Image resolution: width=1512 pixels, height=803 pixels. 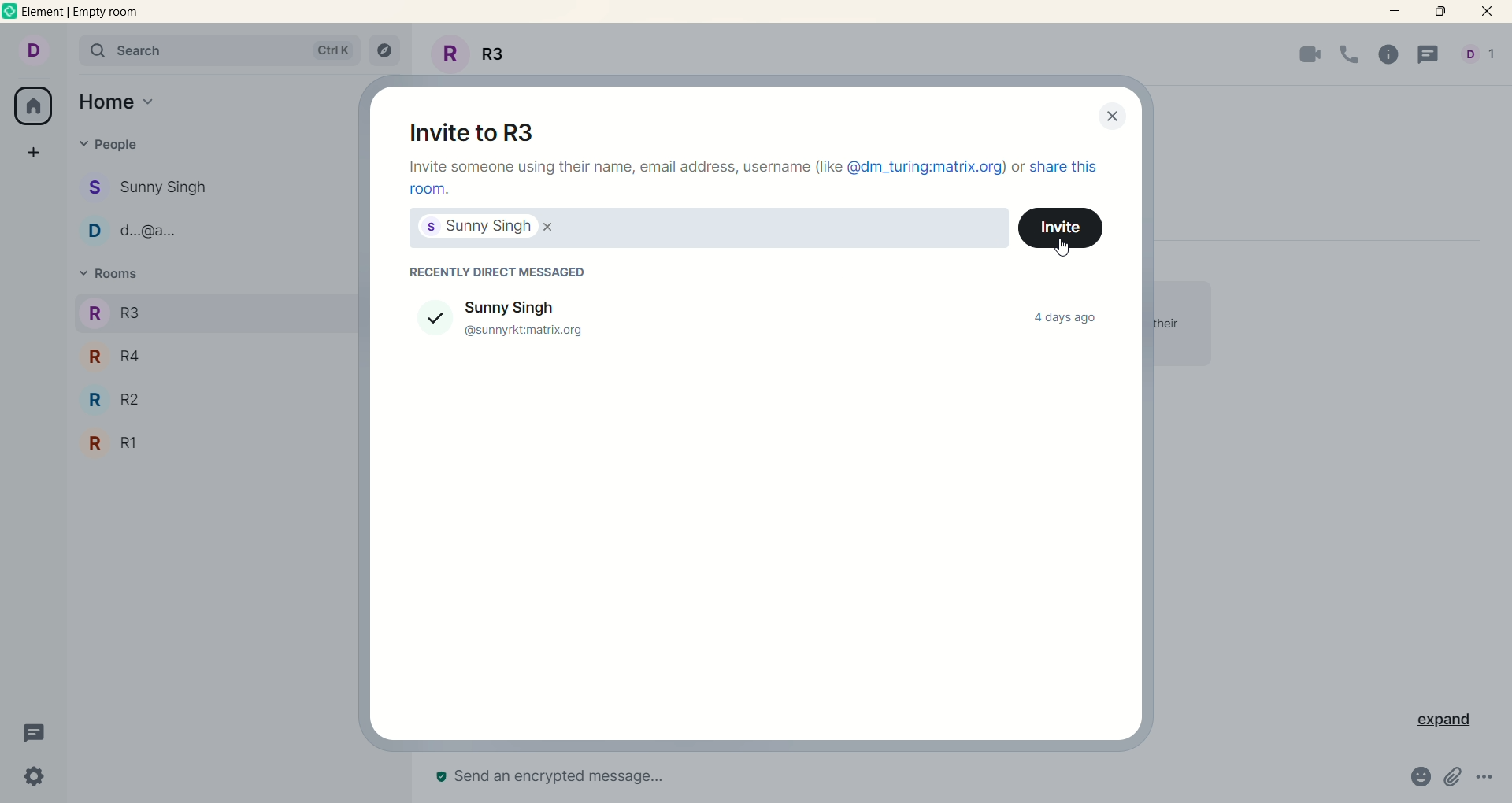 What do you see at coordinates (32, 154) in the screenshot?
I see `create a space` at bounding box center [32, 154].